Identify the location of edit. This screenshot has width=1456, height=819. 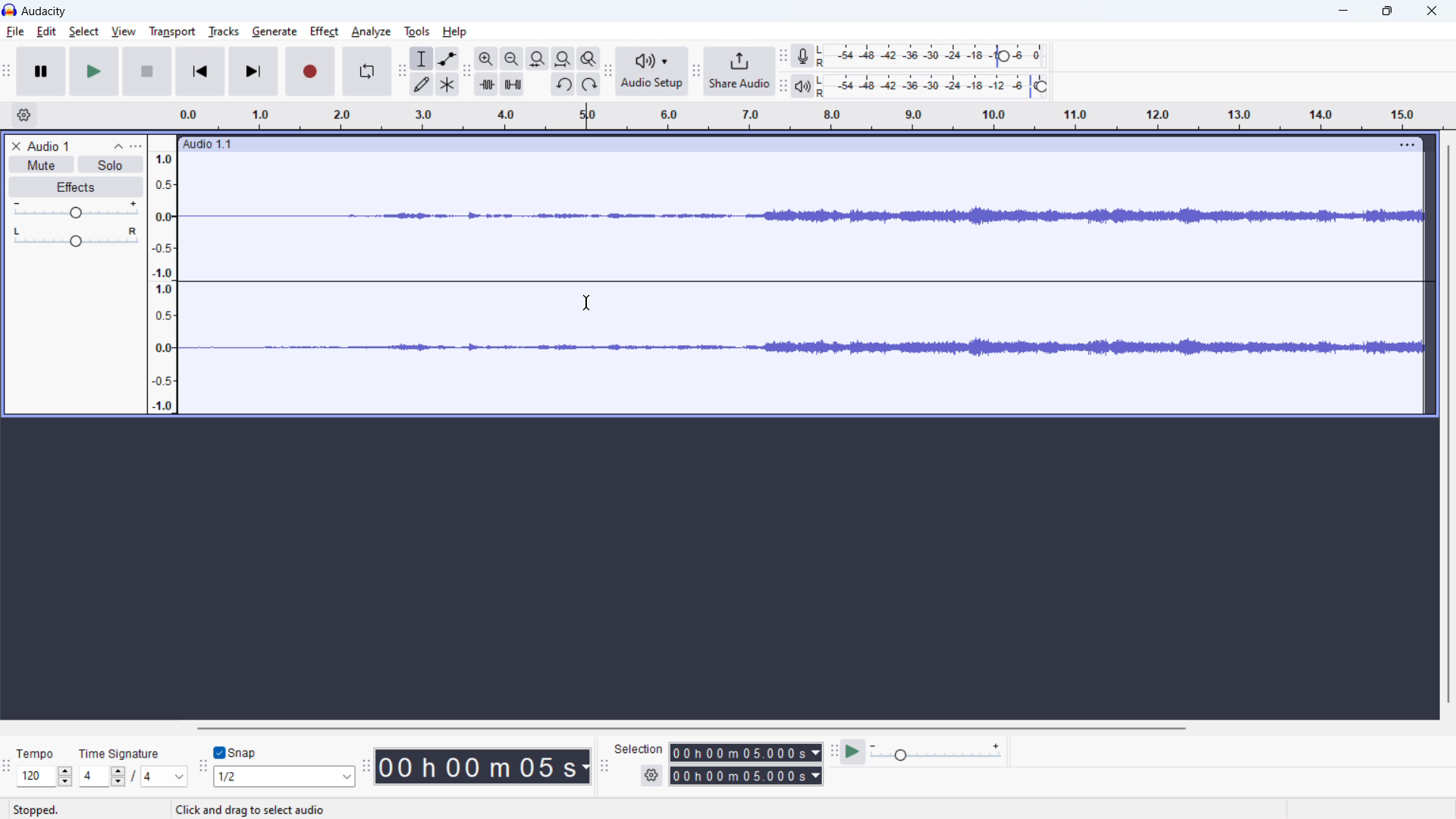
(47, 32).